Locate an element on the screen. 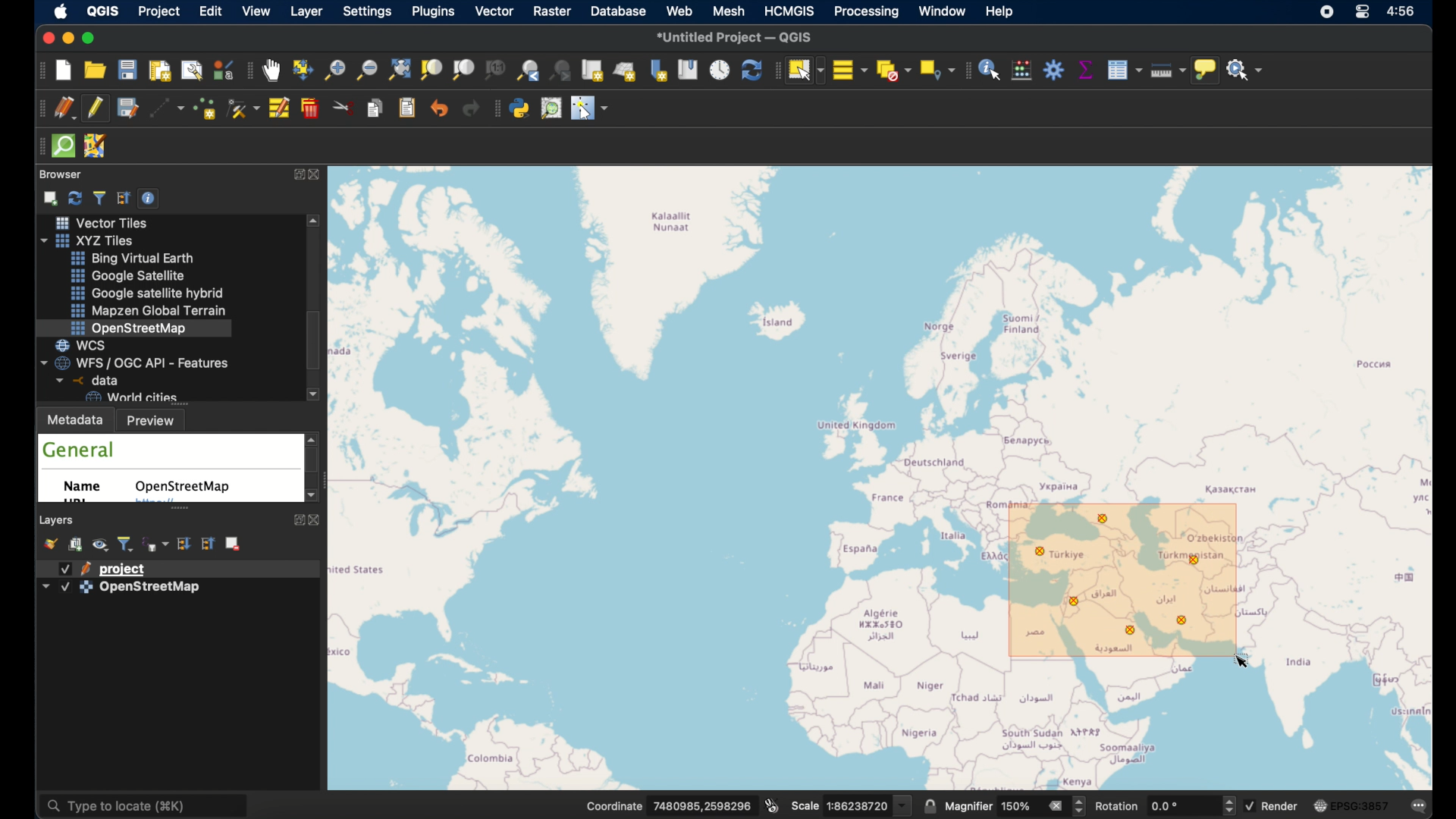 The width and height of the screenshot is (1456, 819). measure line is located at coordinates (1164, 69).